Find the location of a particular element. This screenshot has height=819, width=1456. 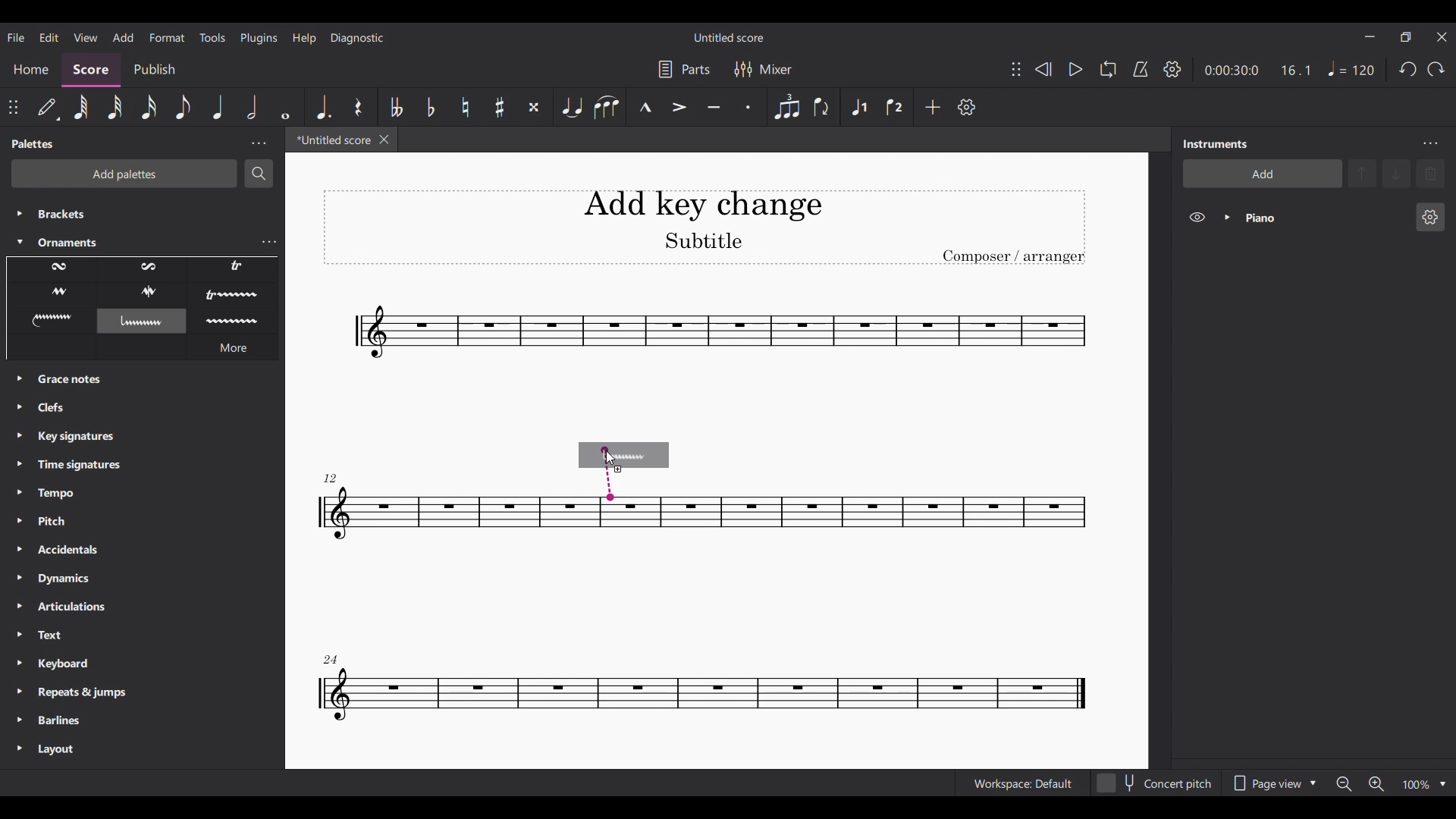

Tuplet is located at coordinates (786, 107).